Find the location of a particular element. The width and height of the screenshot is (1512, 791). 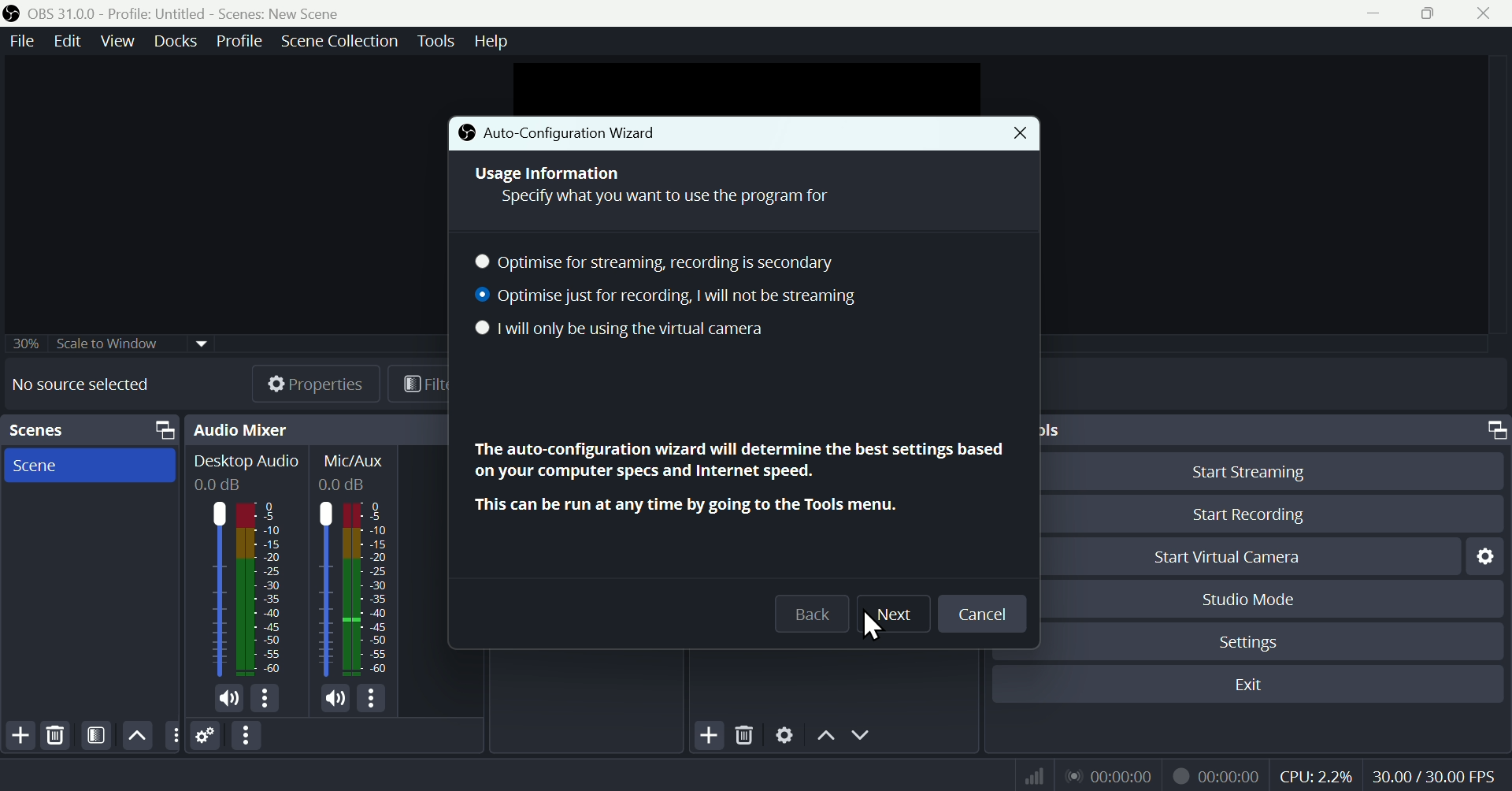

Back is located at coordinates (812, 614).